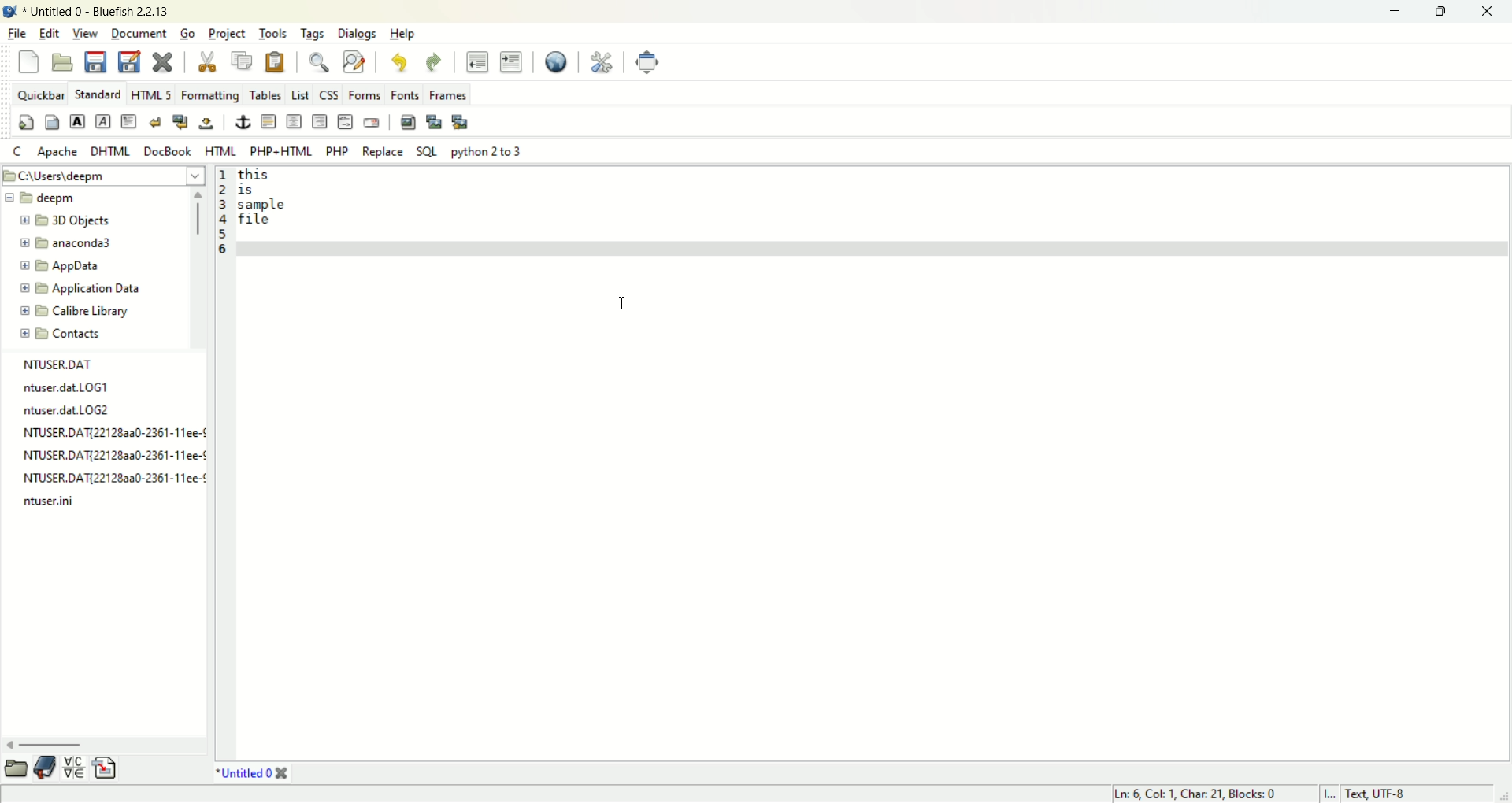 The height and width of the screenshot is (803, 1512). I want to click on title, so click(257, 774).